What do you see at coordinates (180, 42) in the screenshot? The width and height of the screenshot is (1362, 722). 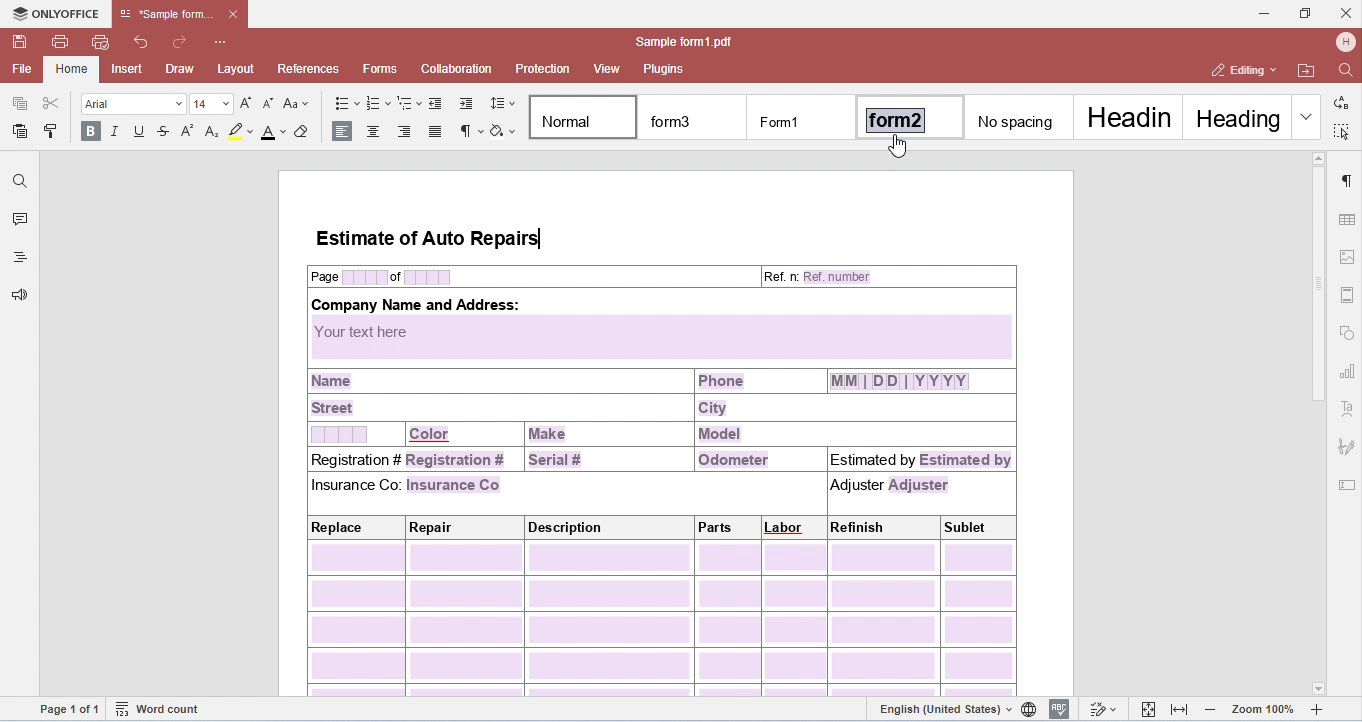 I see `redo` at bounding box center [180, 42].